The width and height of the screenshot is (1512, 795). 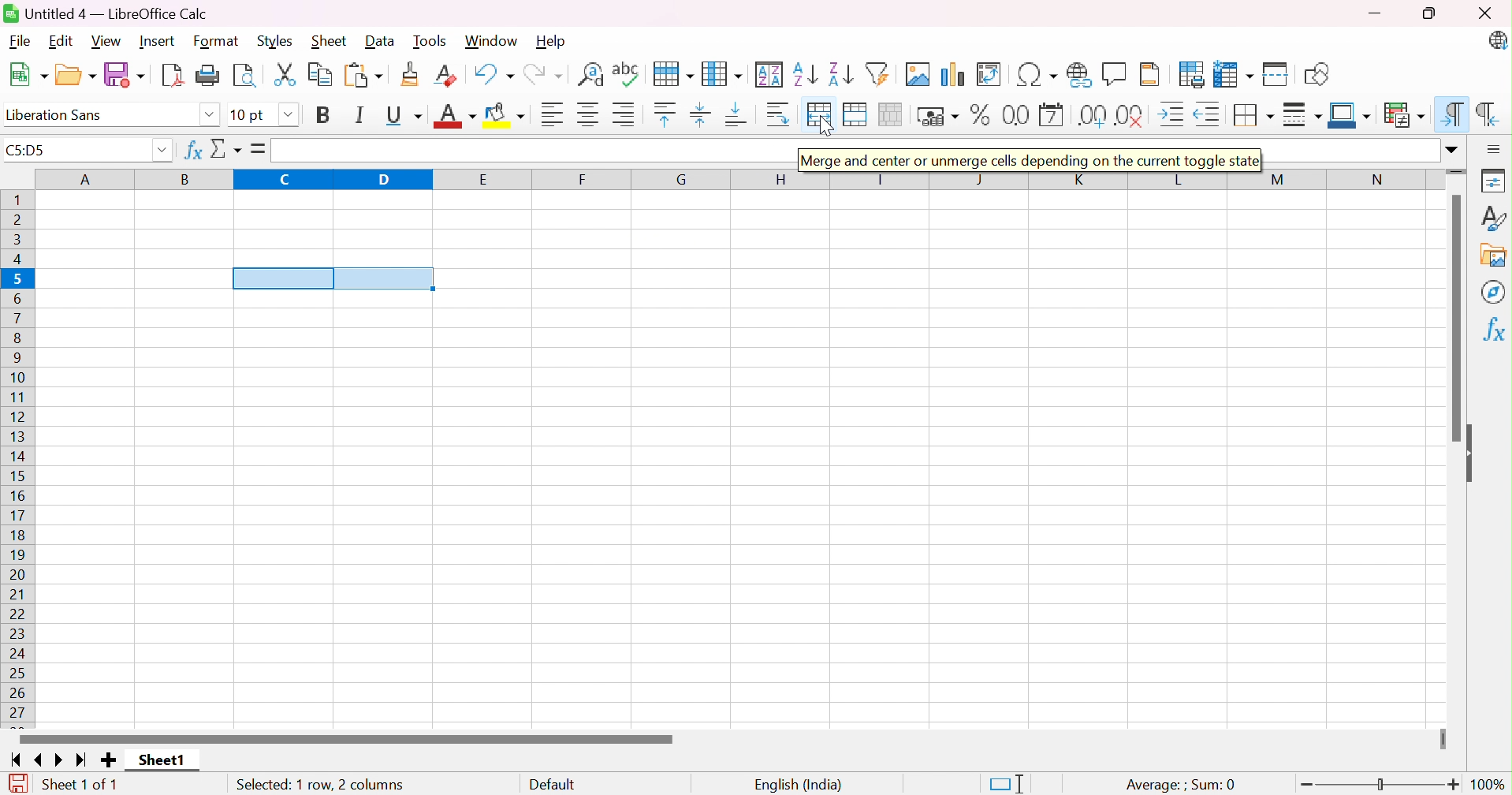 I want to click on Format as Currency, so click(x=937, y=117).